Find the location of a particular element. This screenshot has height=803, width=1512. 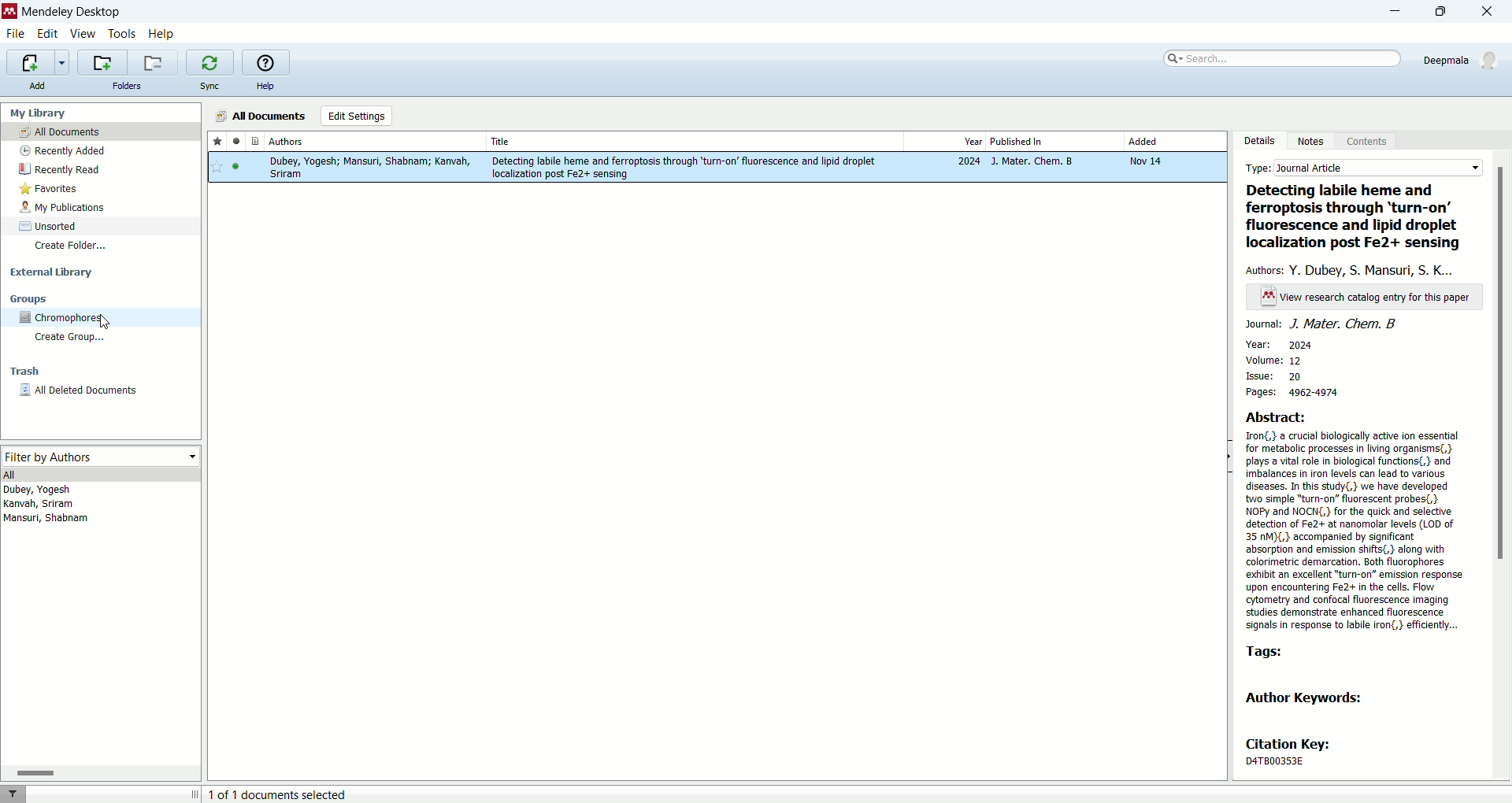

content is located at coordinates (1367, 143).